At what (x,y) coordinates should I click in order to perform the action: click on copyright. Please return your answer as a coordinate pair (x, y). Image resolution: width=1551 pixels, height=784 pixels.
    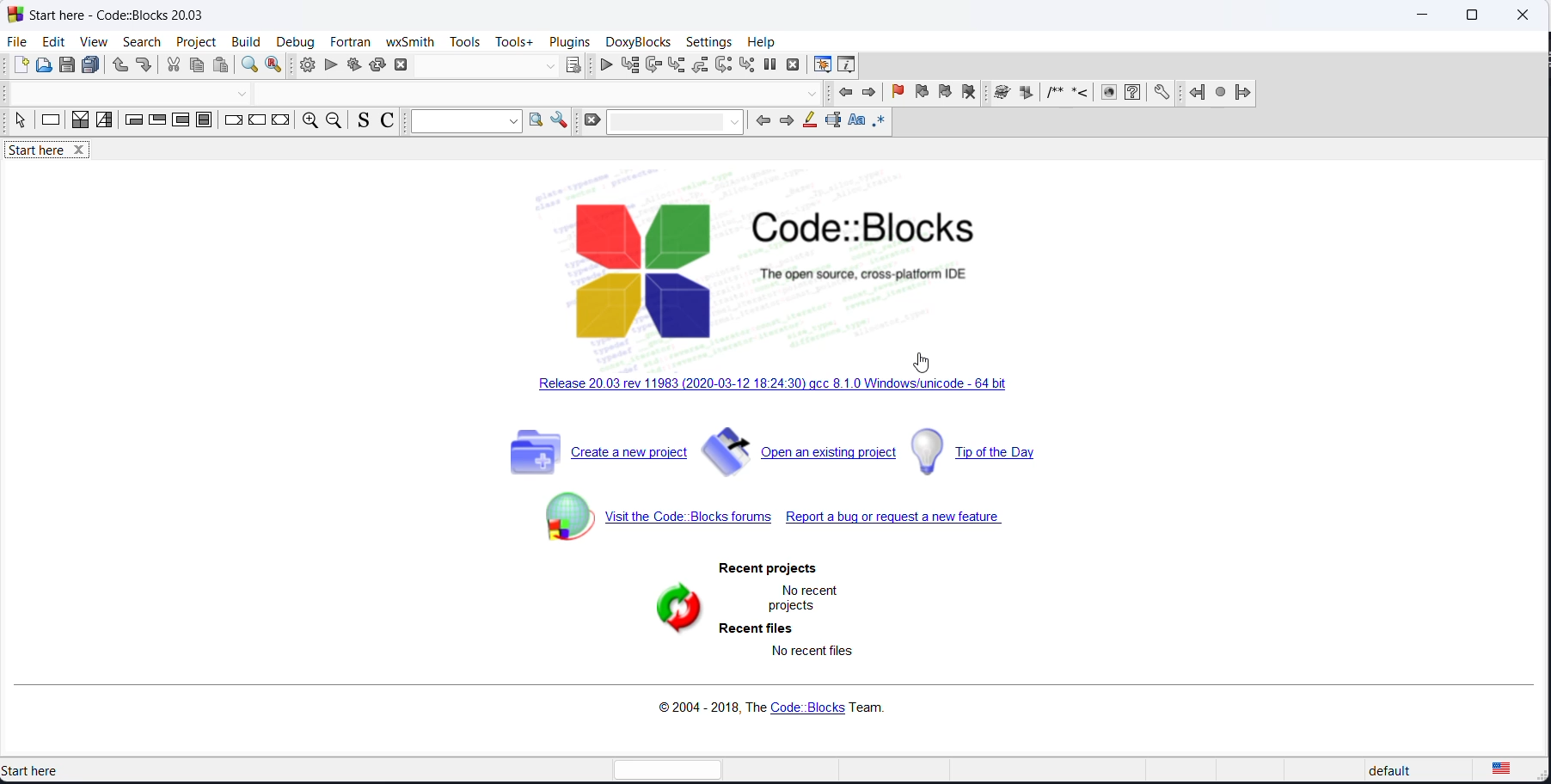
    Looking at the image, I should click on (769, 708).